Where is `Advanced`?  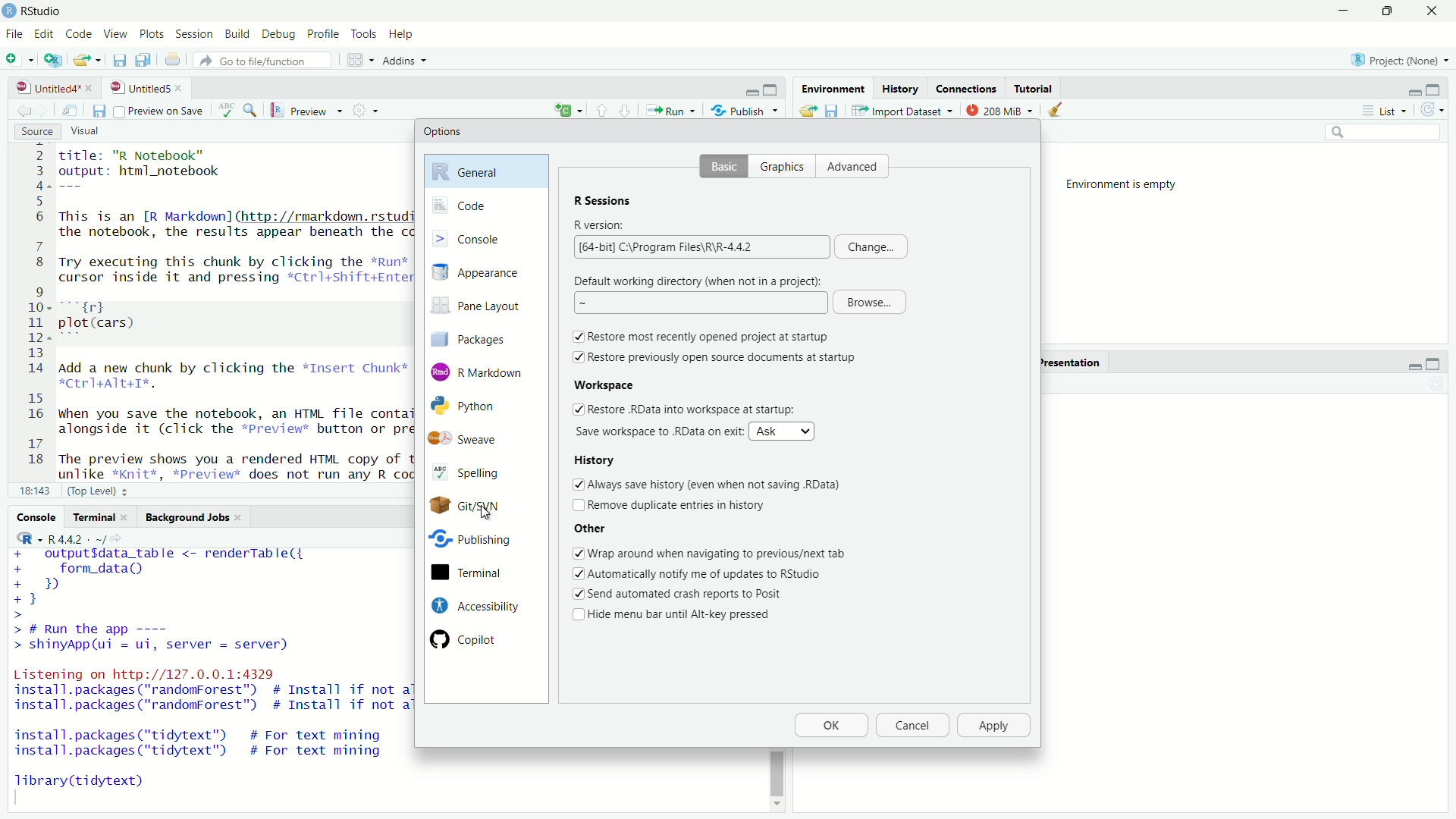 Advanced is located at coordinates (857, 167).